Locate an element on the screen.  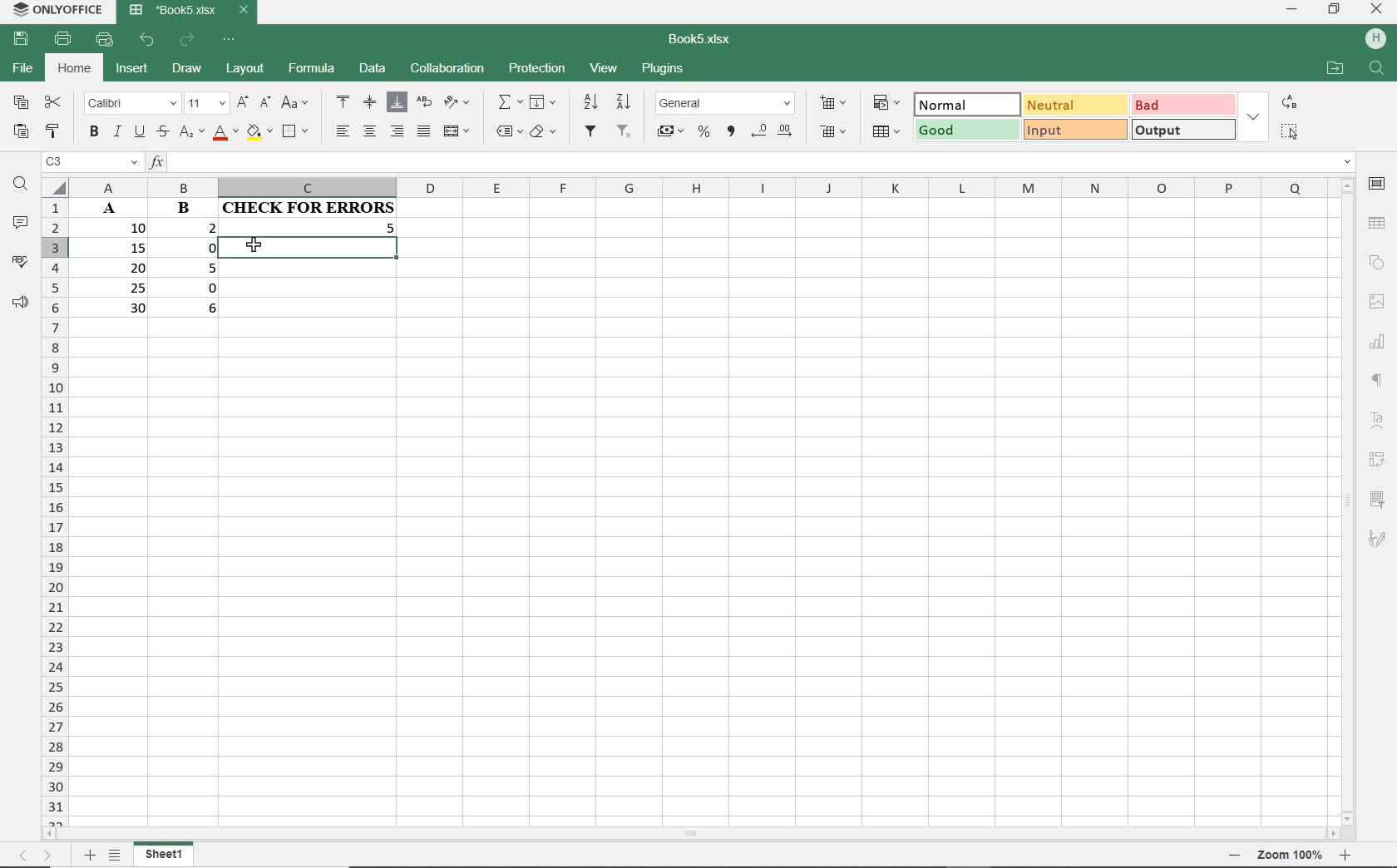
FONT SIZE is located at coordinates (205, 104).